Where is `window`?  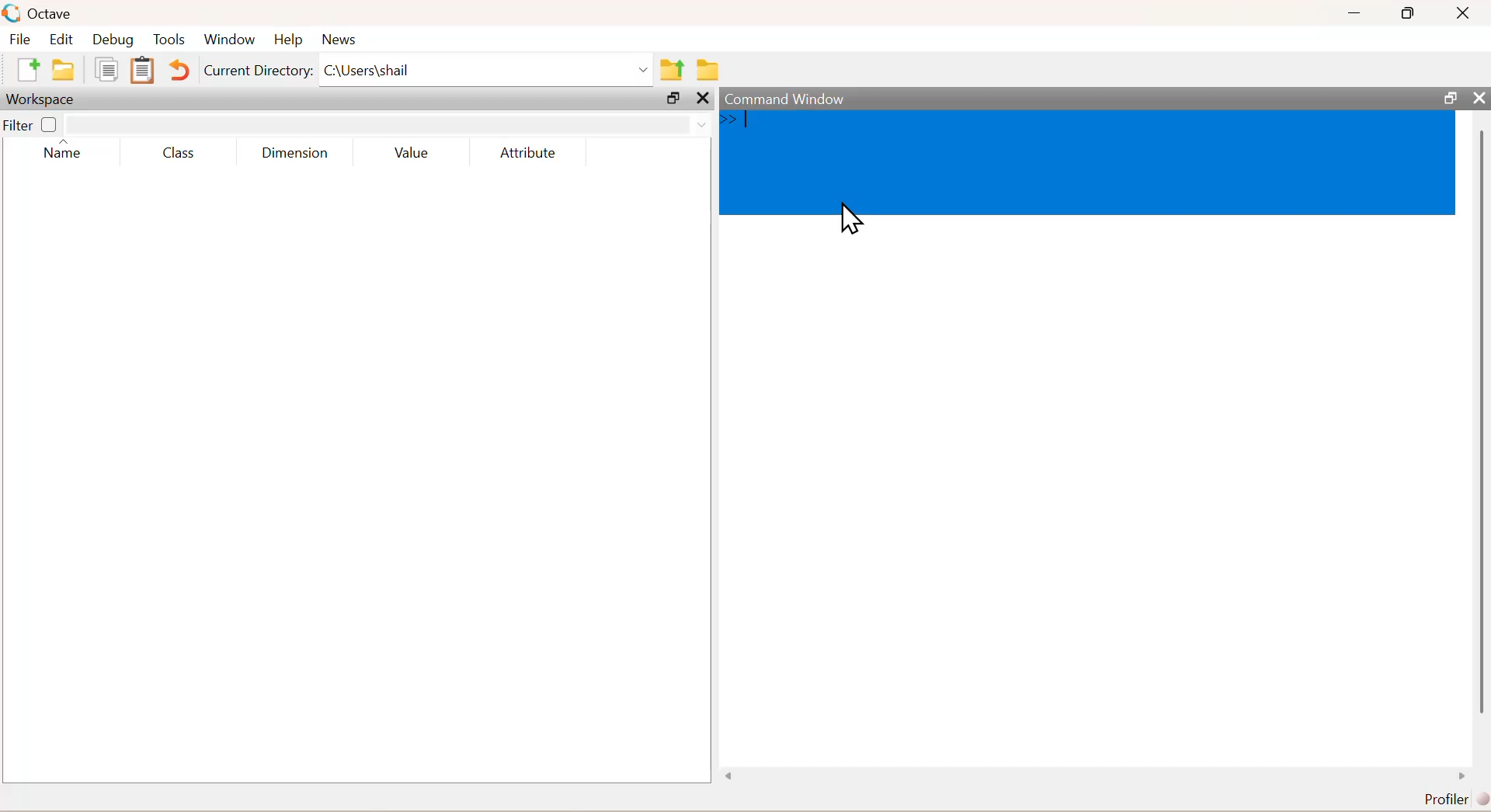 window is located at coordinates (230, 40).